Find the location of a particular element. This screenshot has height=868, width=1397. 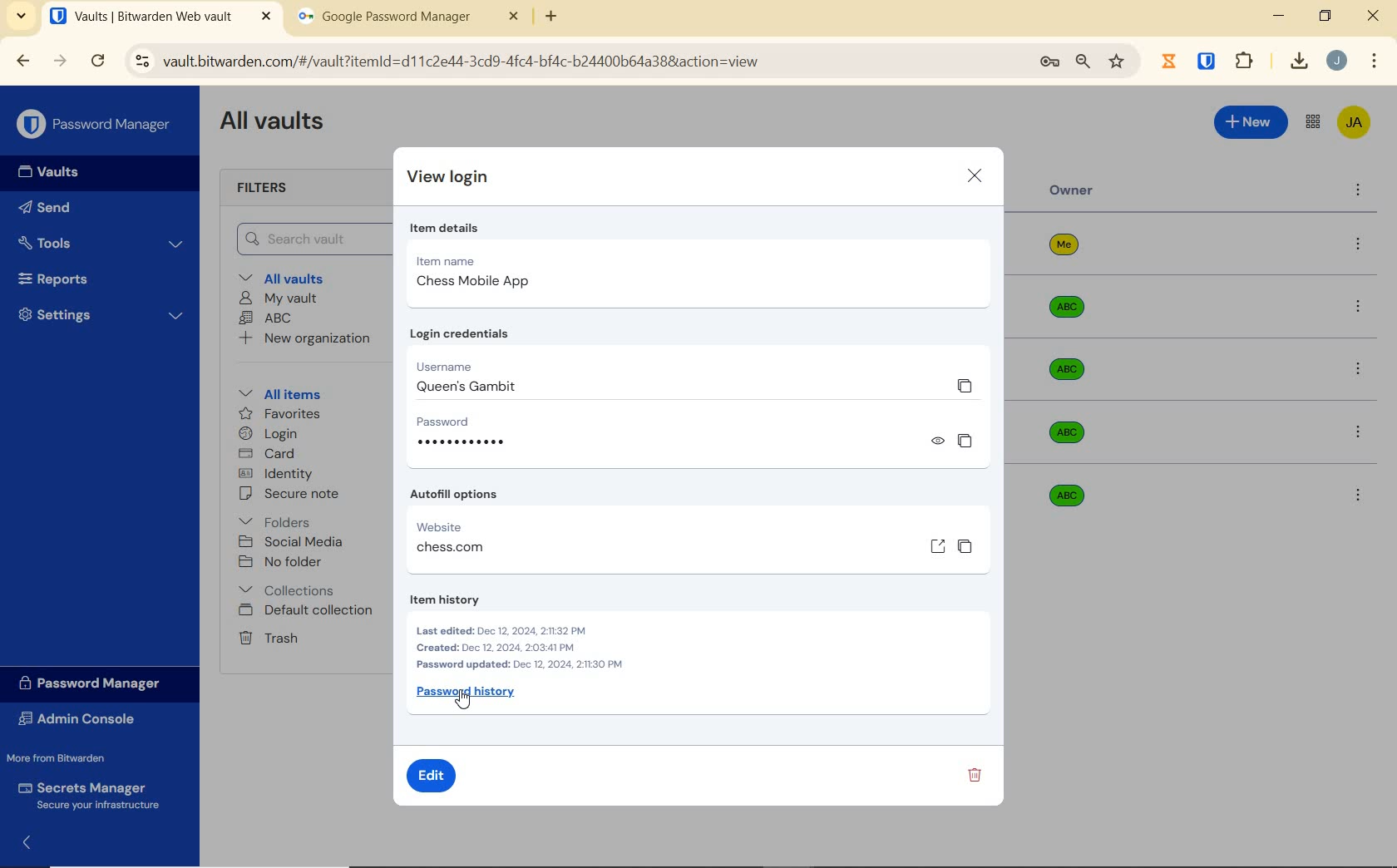

toggle between admin console and password manager is located at coordinates (1312, 121).